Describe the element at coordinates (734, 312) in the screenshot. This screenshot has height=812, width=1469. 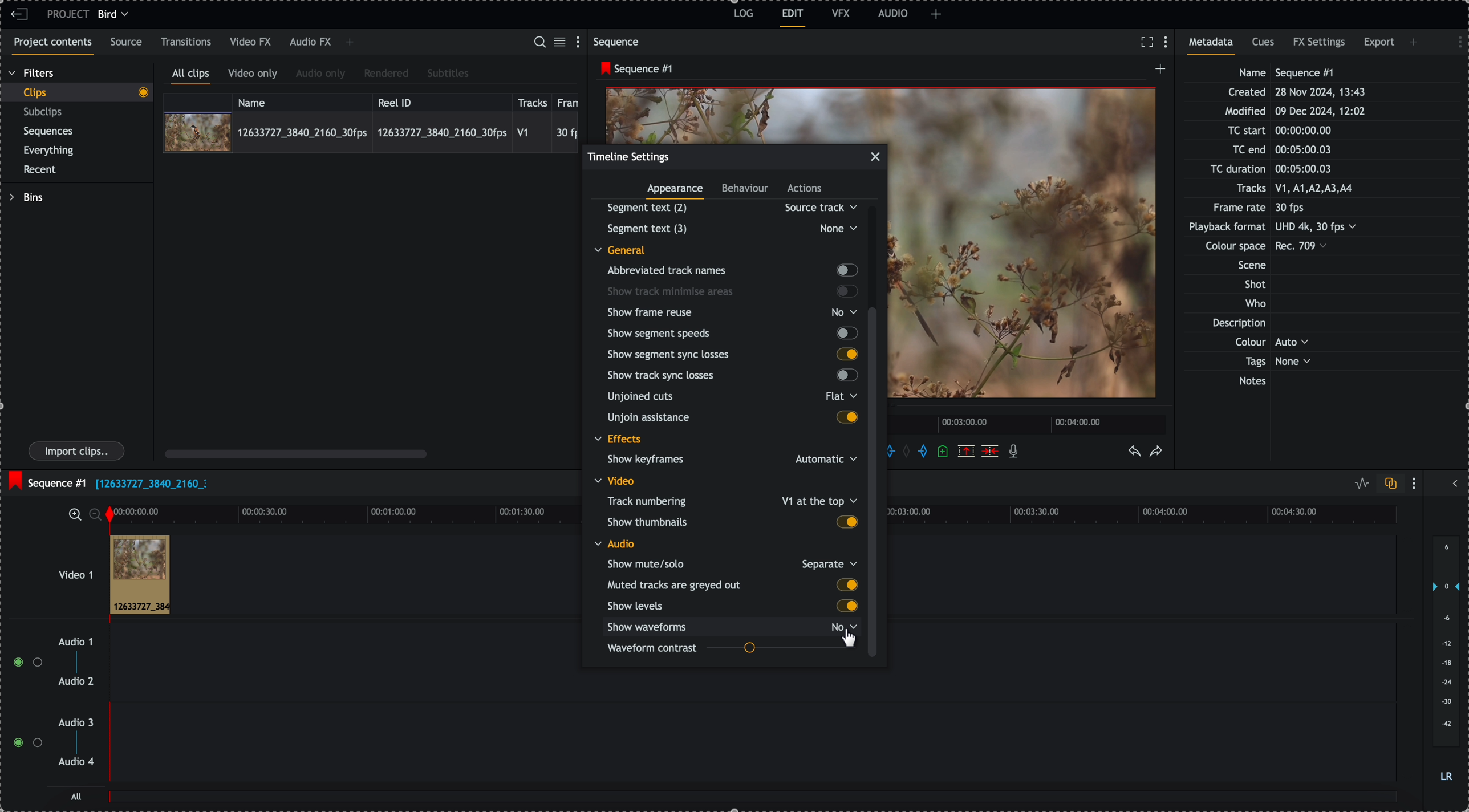
I see `show frame reuse` at that location.